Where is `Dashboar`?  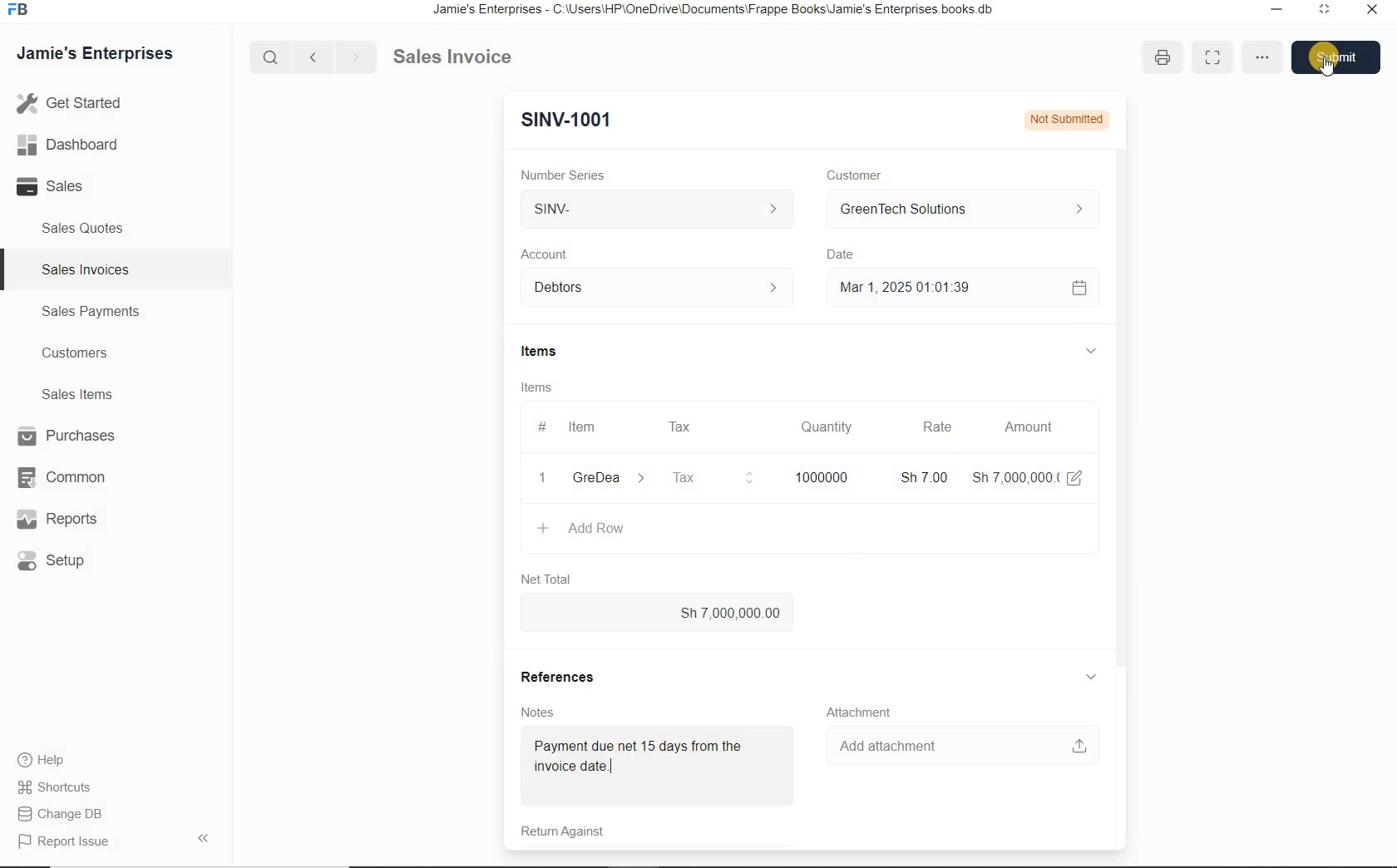
Dashboar is located at coordinates (68, 144).